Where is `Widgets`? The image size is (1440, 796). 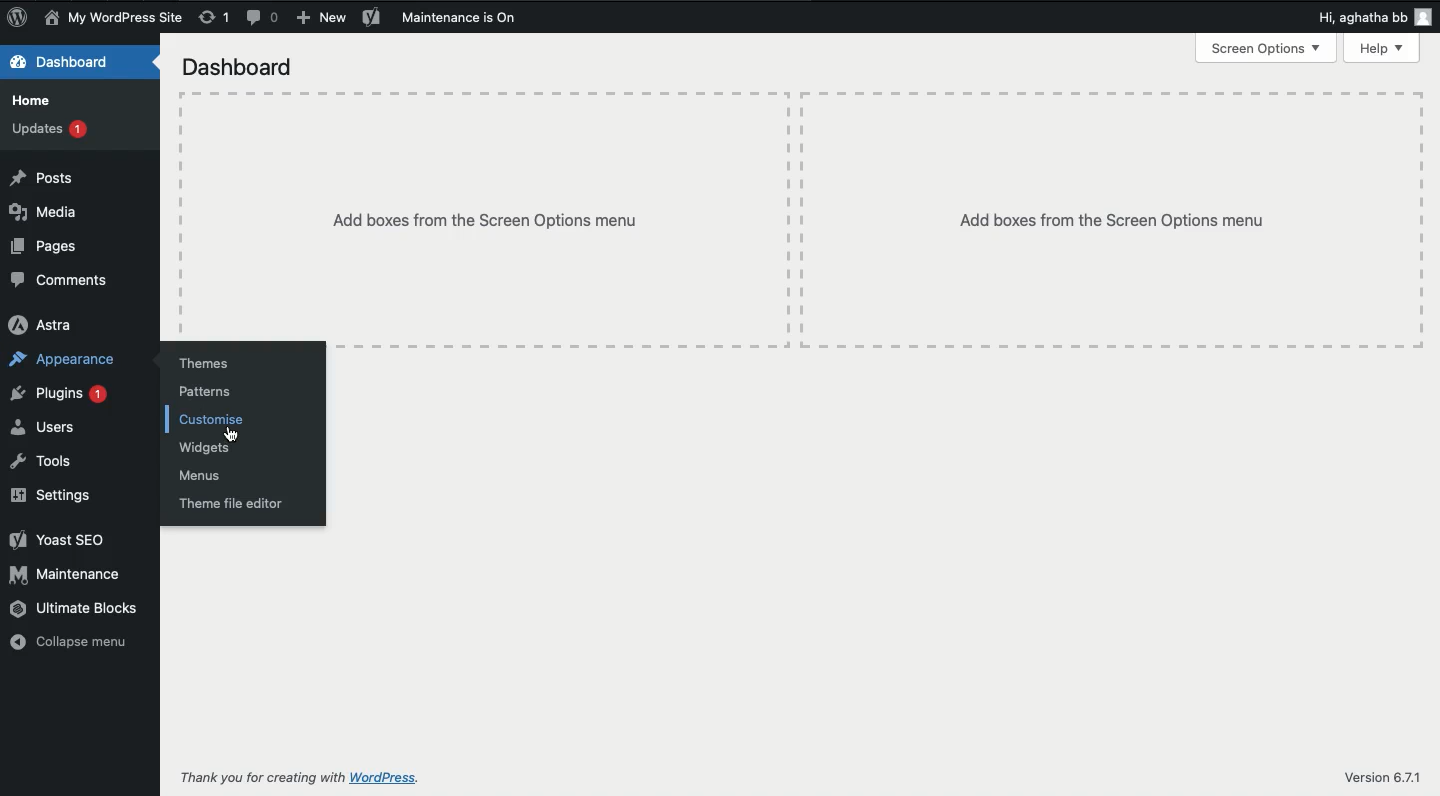 Widgets is located at coordinates (206, 448).